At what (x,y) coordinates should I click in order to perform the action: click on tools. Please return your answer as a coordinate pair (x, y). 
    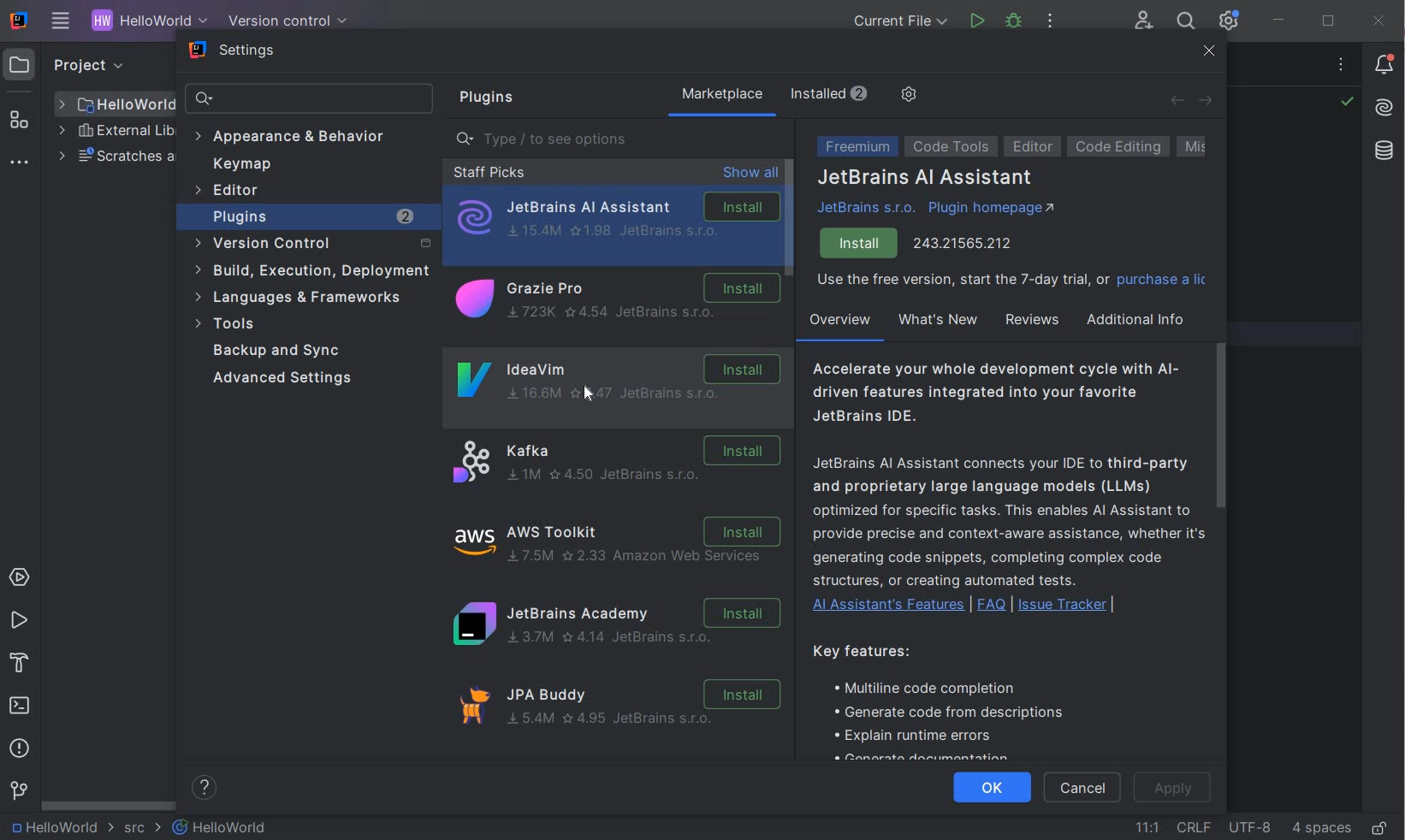
    Looking at the image, I should click on (303, 324).